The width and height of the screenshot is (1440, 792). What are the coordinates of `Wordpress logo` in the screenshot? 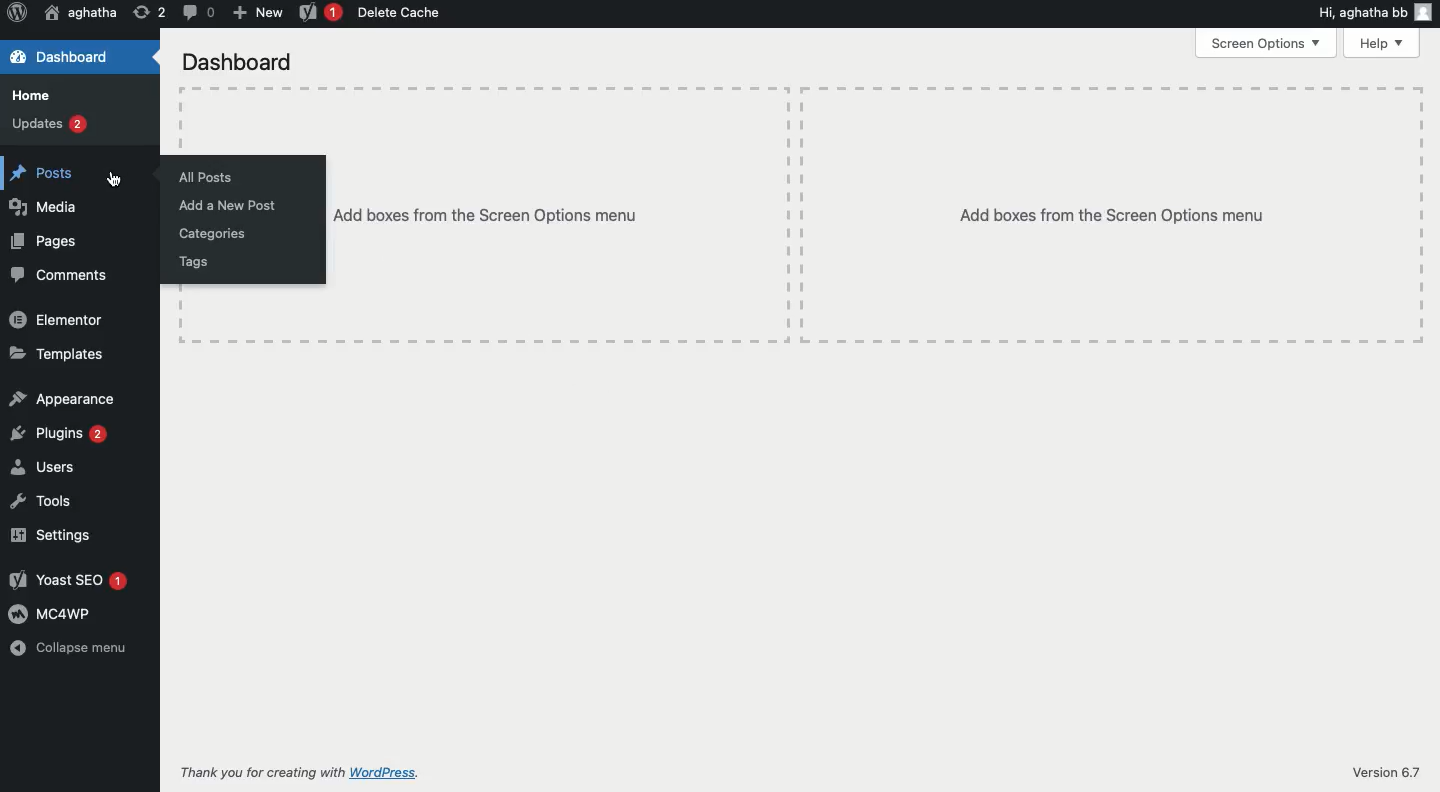 It's located at (16, 12).